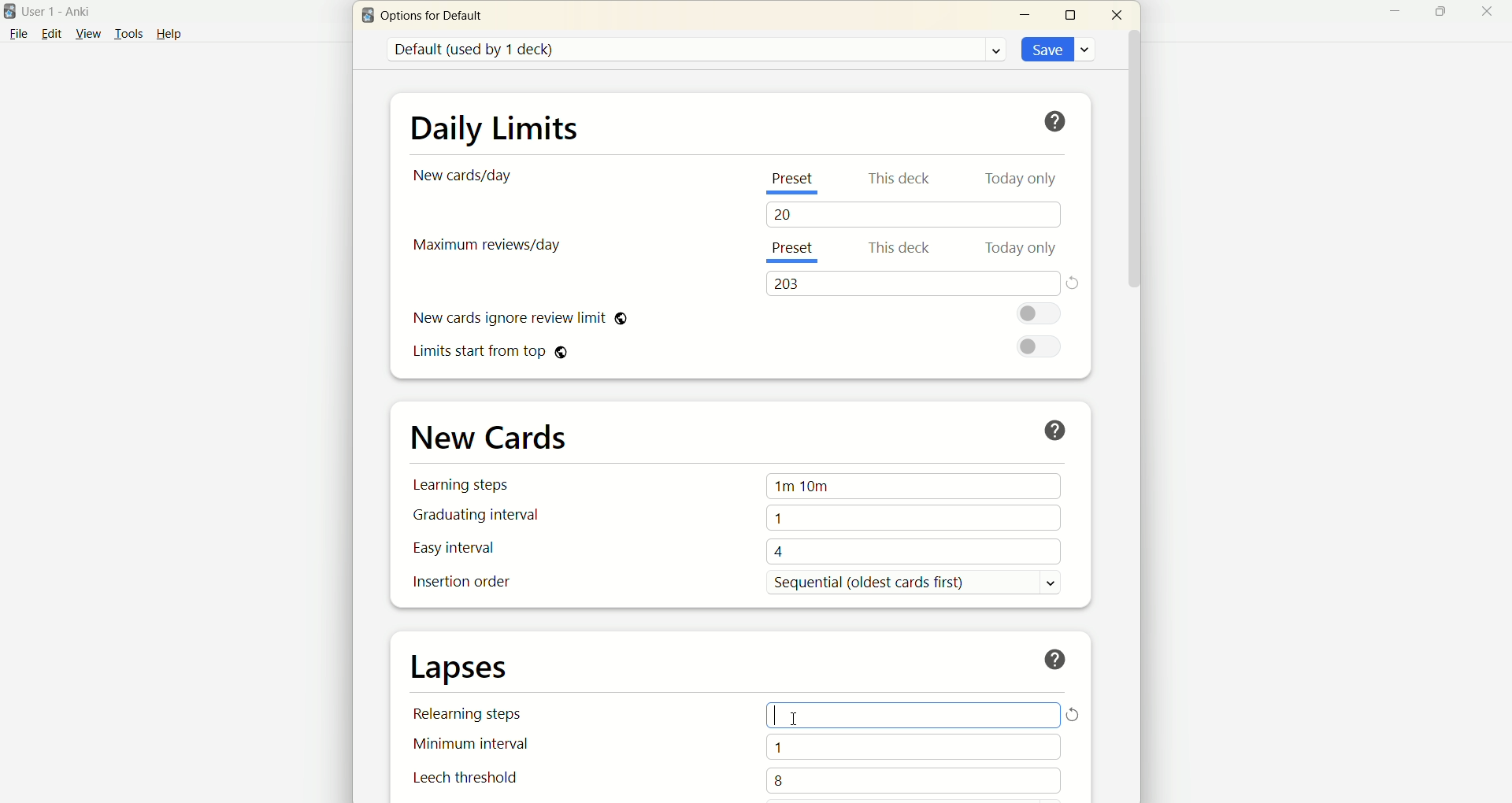 The height and width of the screenshot is (803, 1512). What do you see at coordinates (1072, 14) in the screenshot?
I see `maximize` at bounding box center [1072, 14].